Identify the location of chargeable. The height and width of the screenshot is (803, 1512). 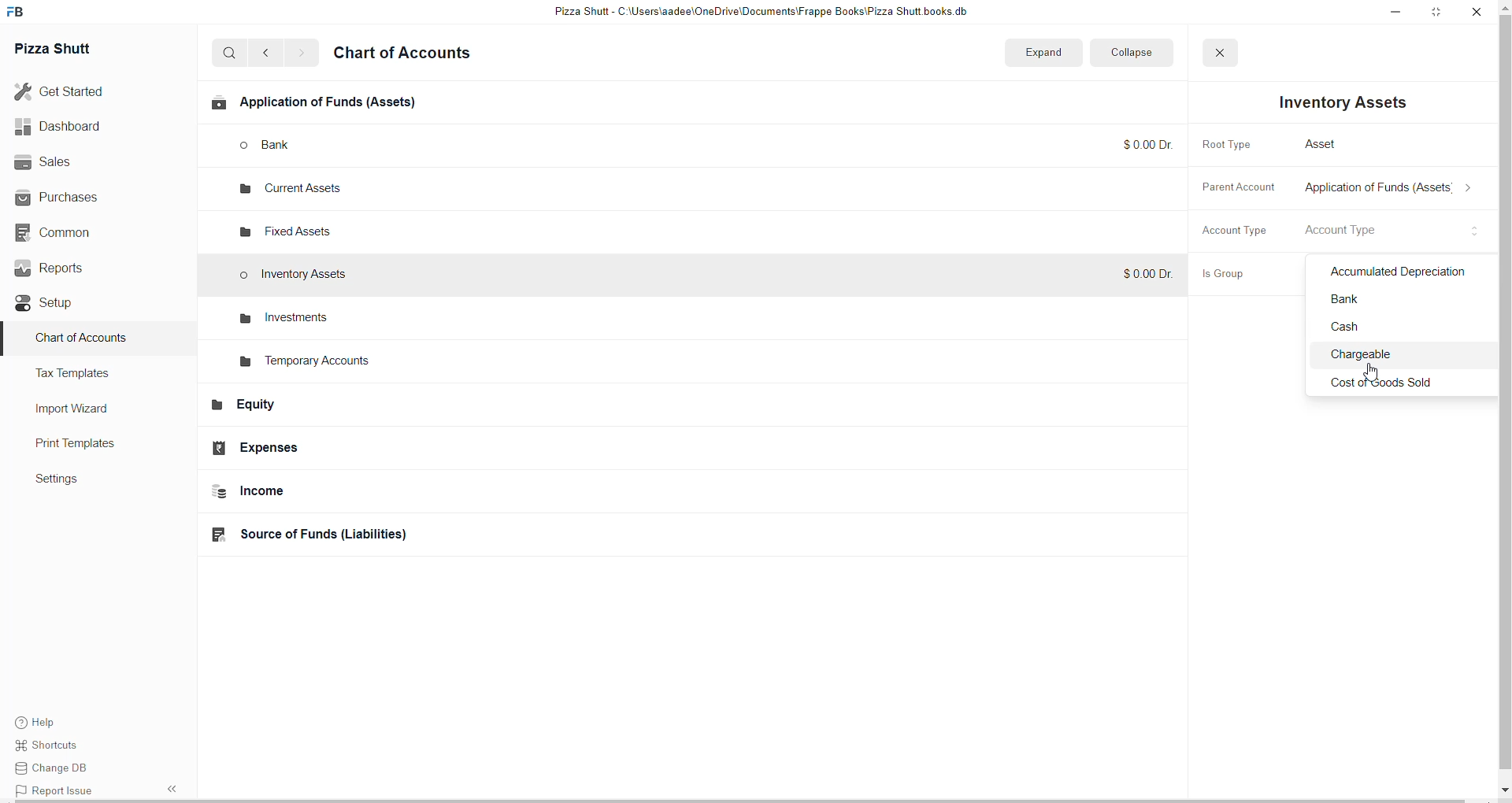
(1404, 357).